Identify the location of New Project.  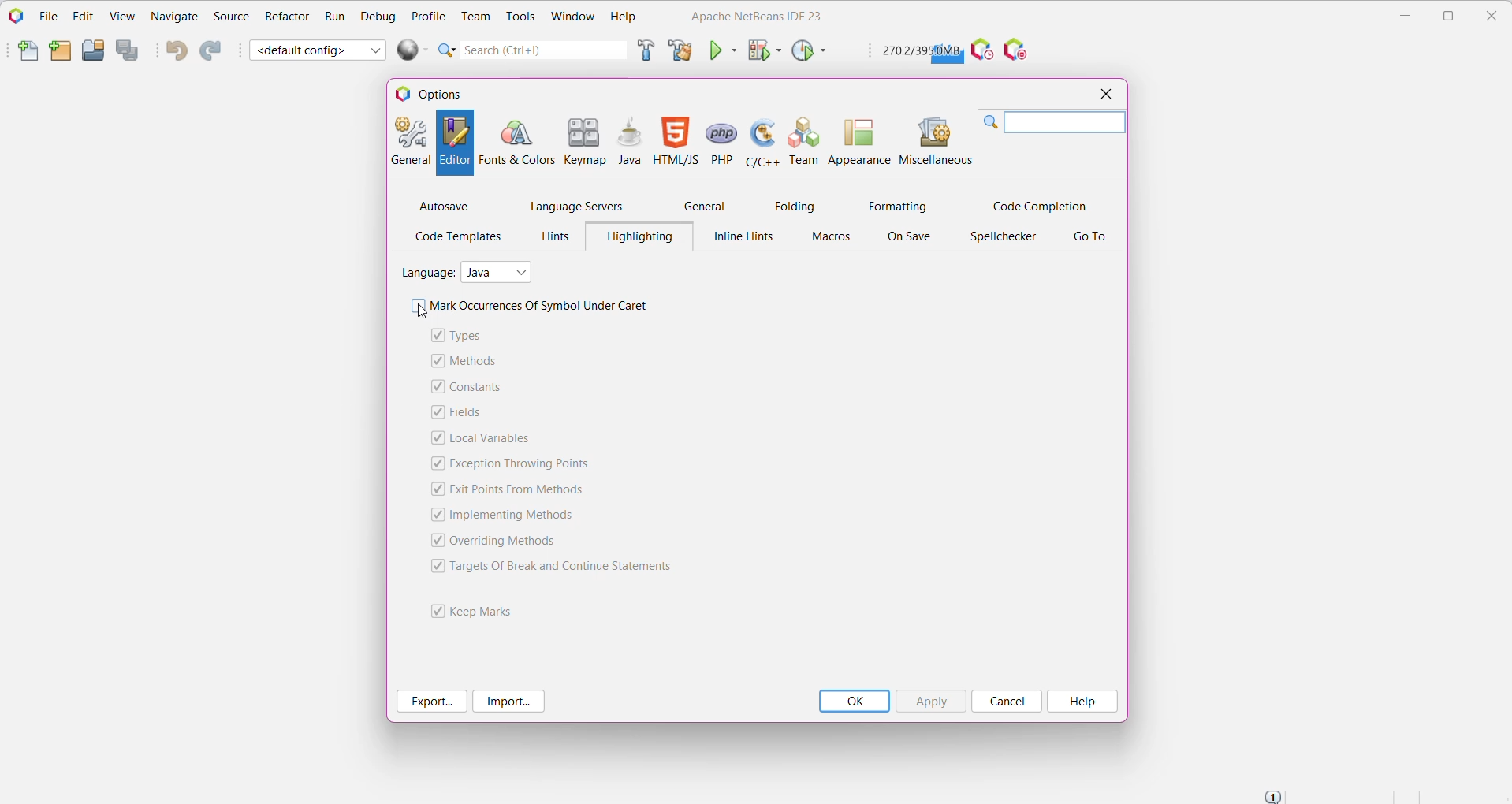
(58, 51).